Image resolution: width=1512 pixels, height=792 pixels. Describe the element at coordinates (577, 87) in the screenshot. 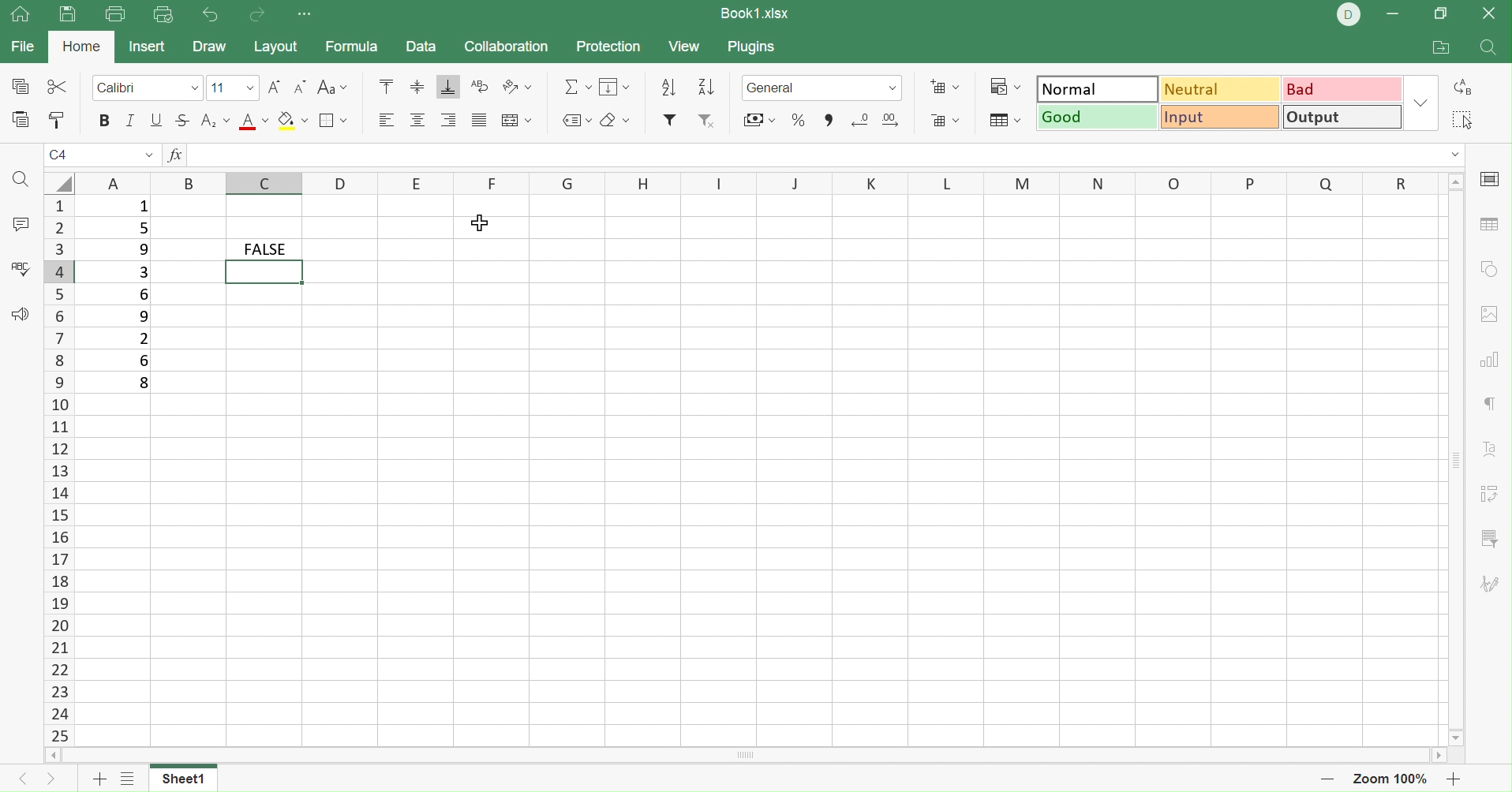

I see `Summation` at that location.